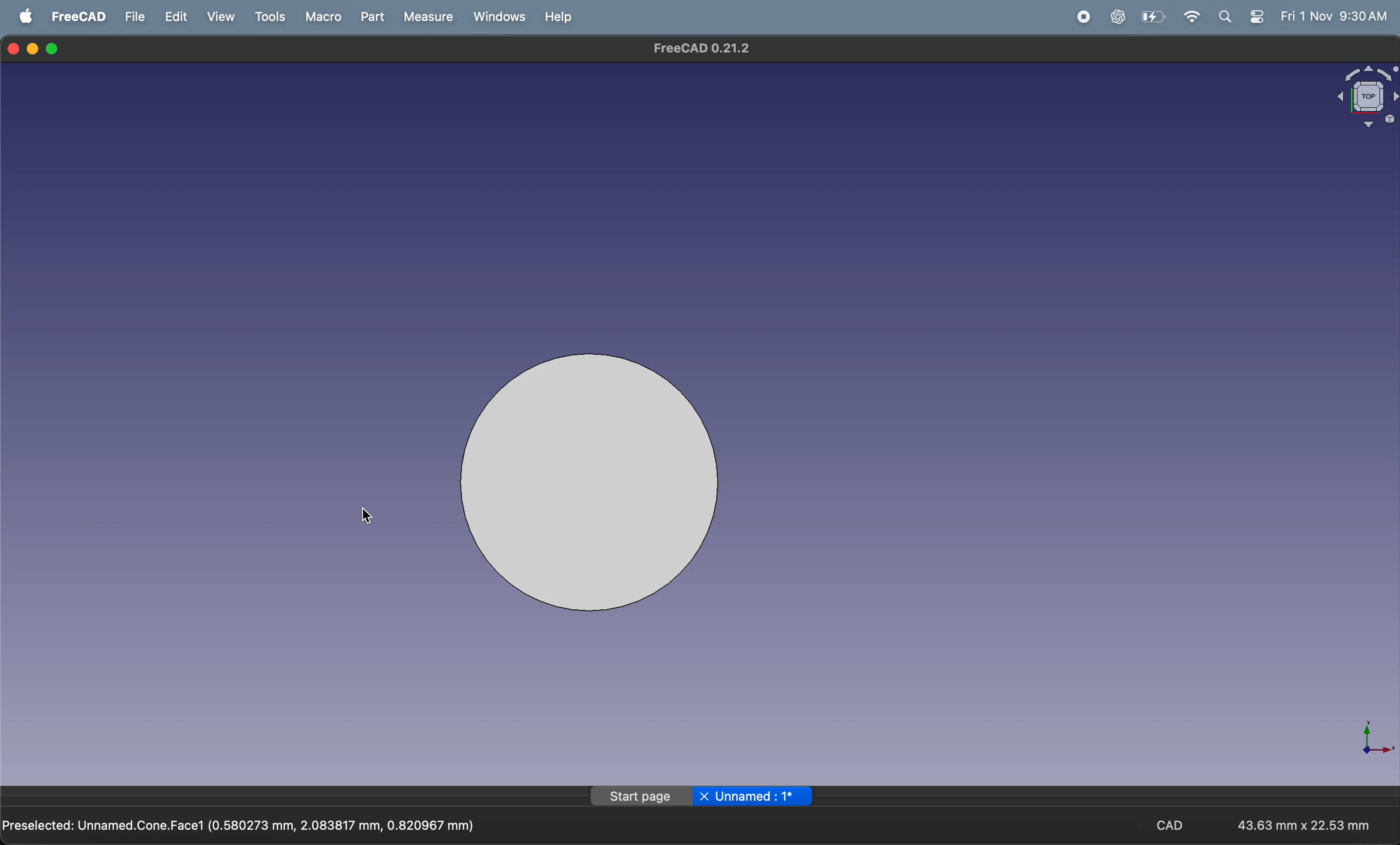 The height and width of the screenshot is (845, 1400). Describe the element at coordinates (224, 16) in the screenshot. I see `view` at that location.